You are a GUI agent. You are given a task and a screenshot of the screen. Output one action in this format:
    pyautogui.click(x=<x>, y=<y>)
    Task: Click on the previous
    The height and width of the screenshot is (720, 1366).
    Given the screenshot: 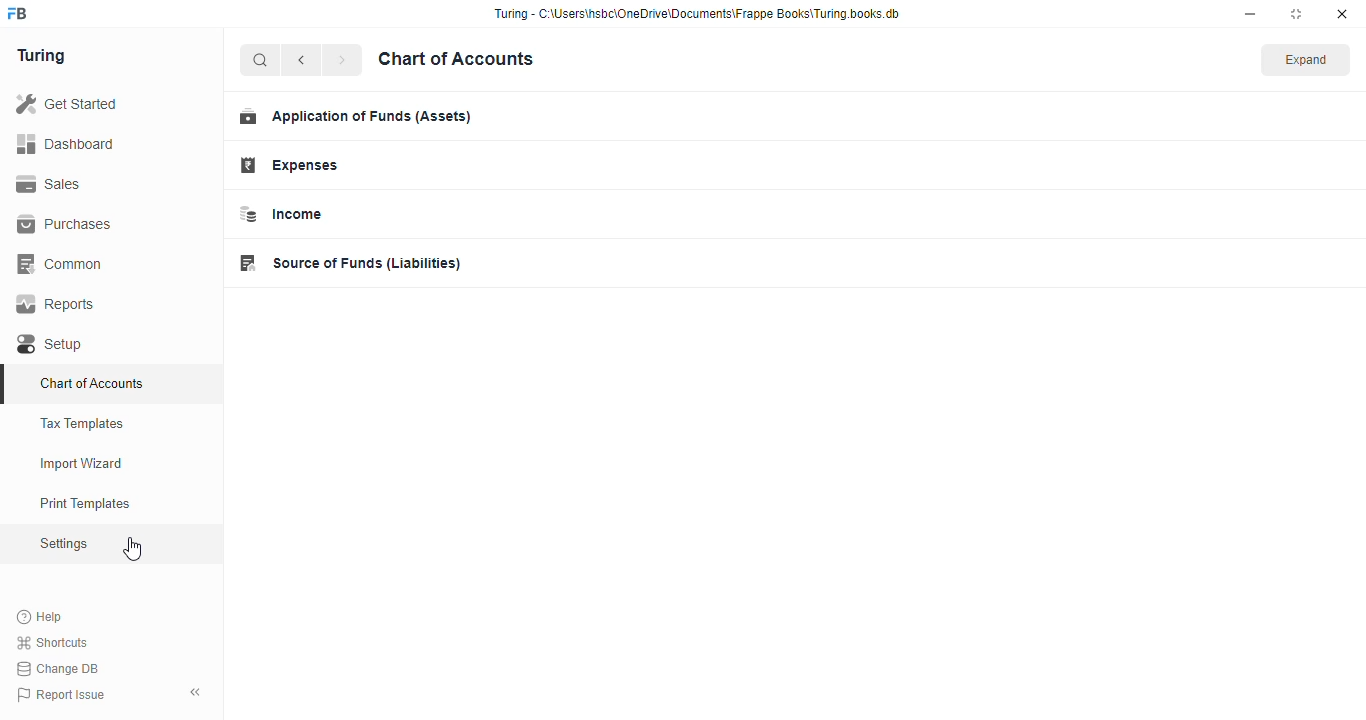 What is the action you would take?
    pyautogui.click(x=302, y=60)
    